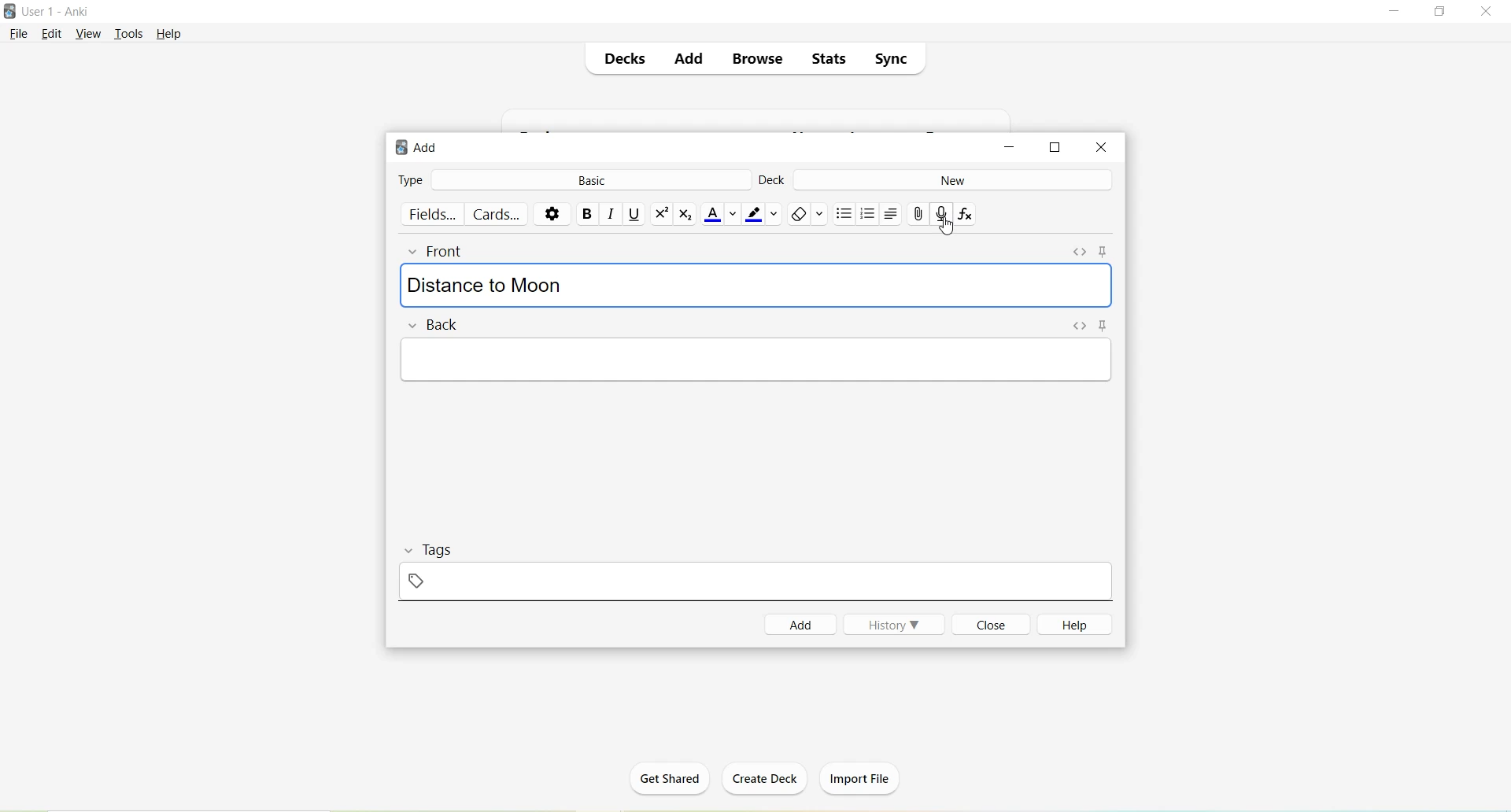 This screenshot has height=812, width=1511. I want to click on Record Audio, so click(941, 214).